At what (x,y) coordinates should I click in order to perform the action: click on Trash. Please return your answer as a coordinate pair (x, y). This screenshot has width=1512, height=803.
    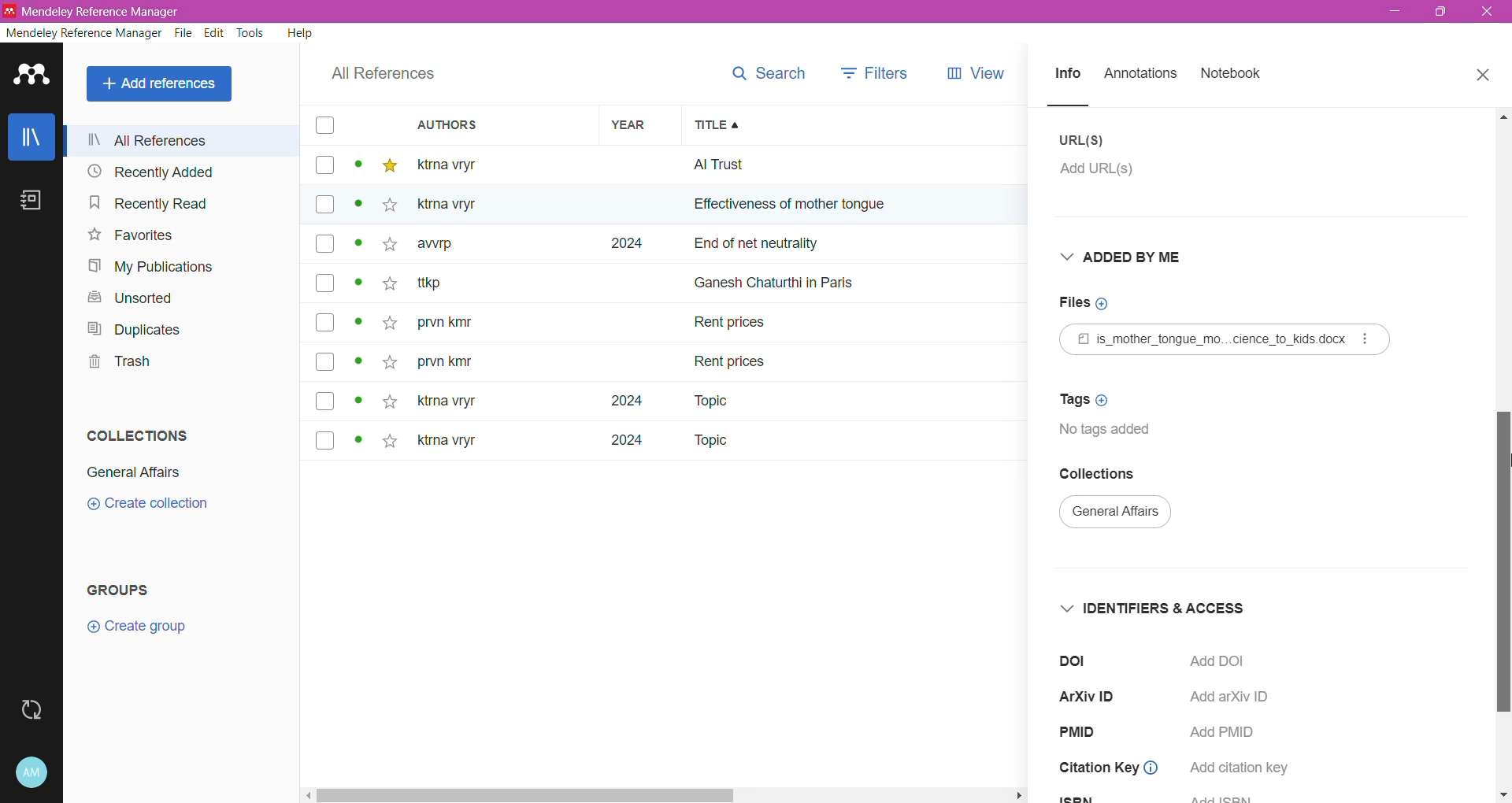
    Looking at the image, I should click on (117, 361).